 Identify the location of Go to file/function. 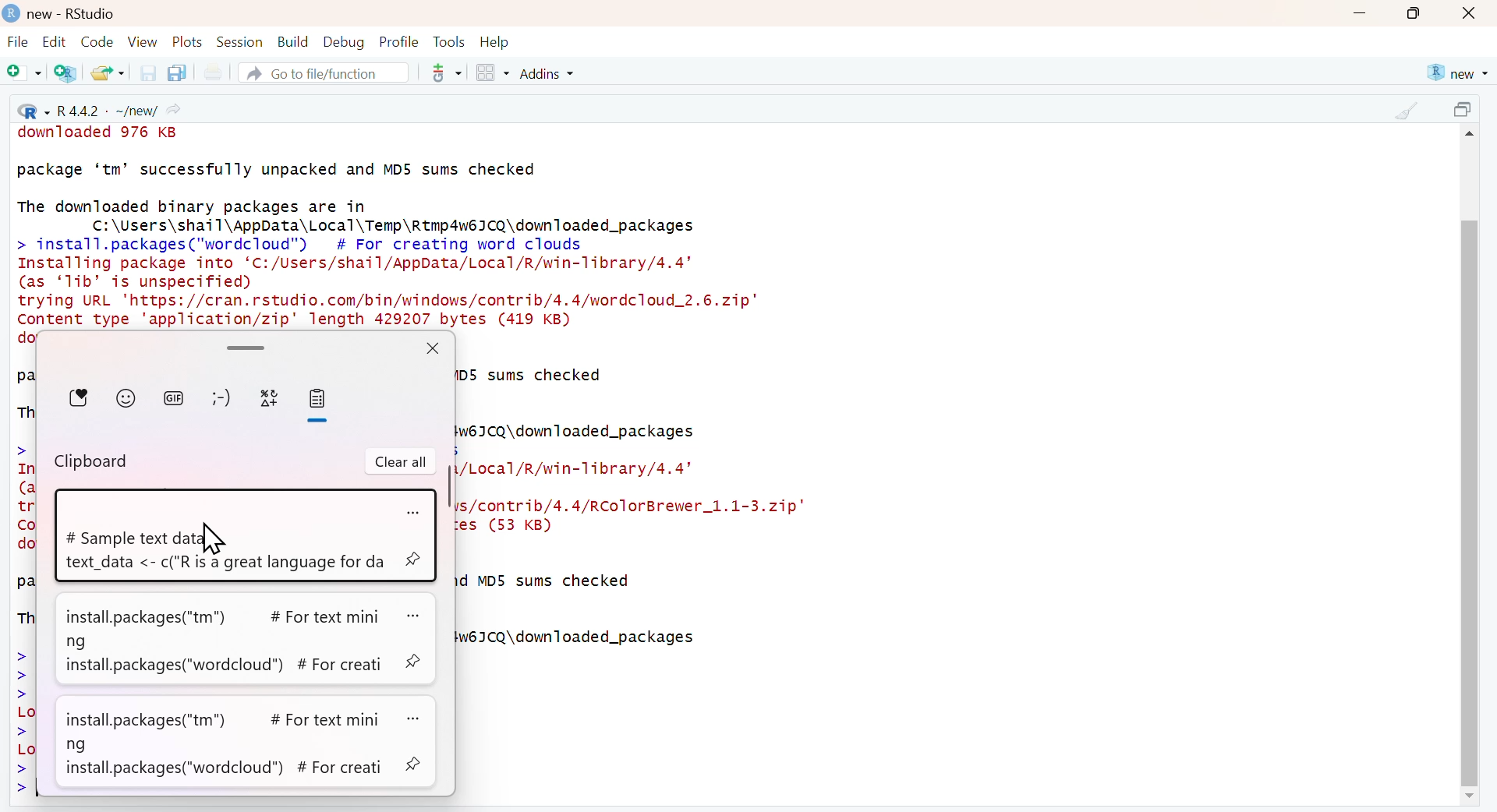
(322, 72).